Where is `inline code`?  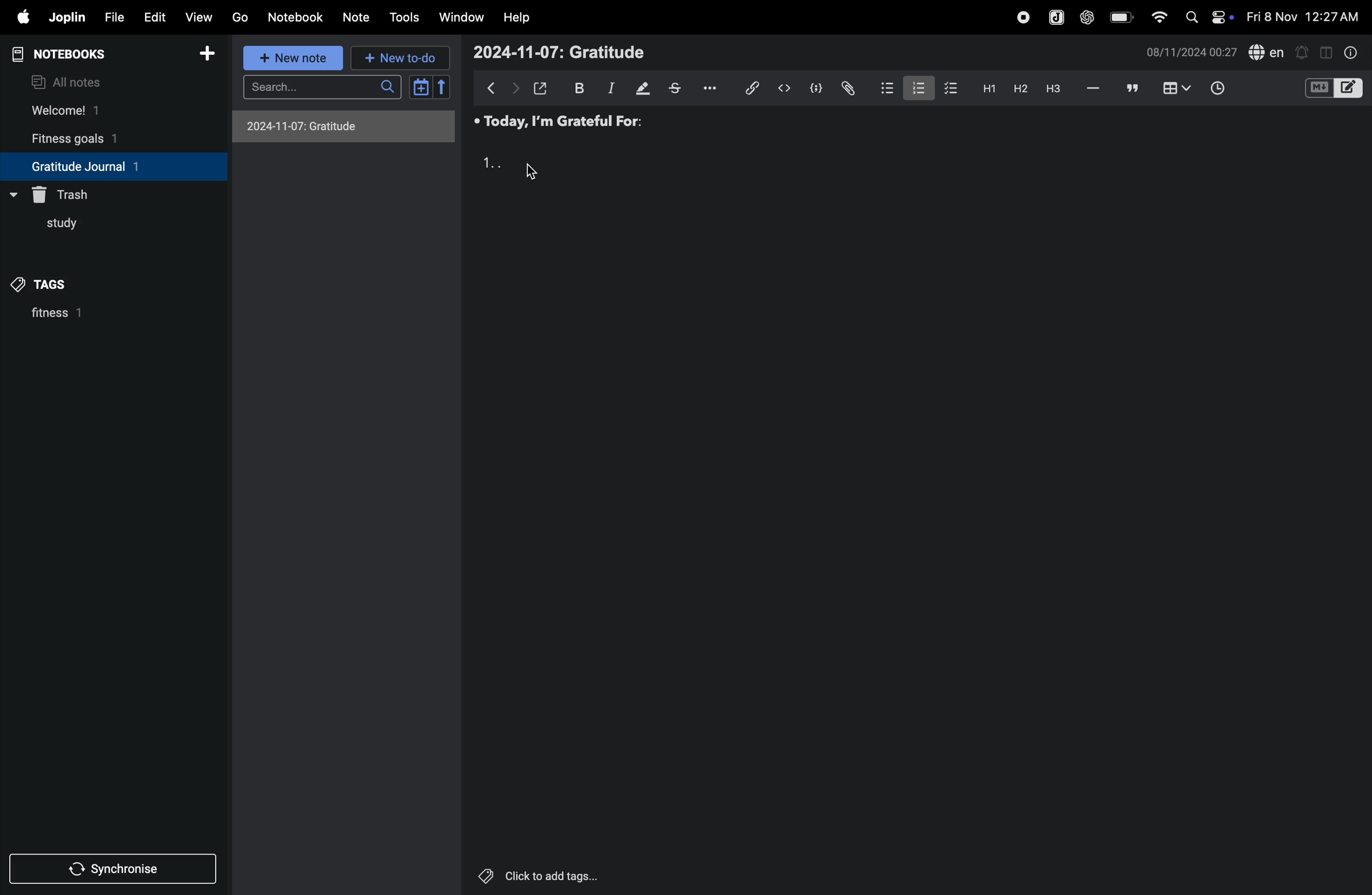
inline code is located at coordinates (782, 89).